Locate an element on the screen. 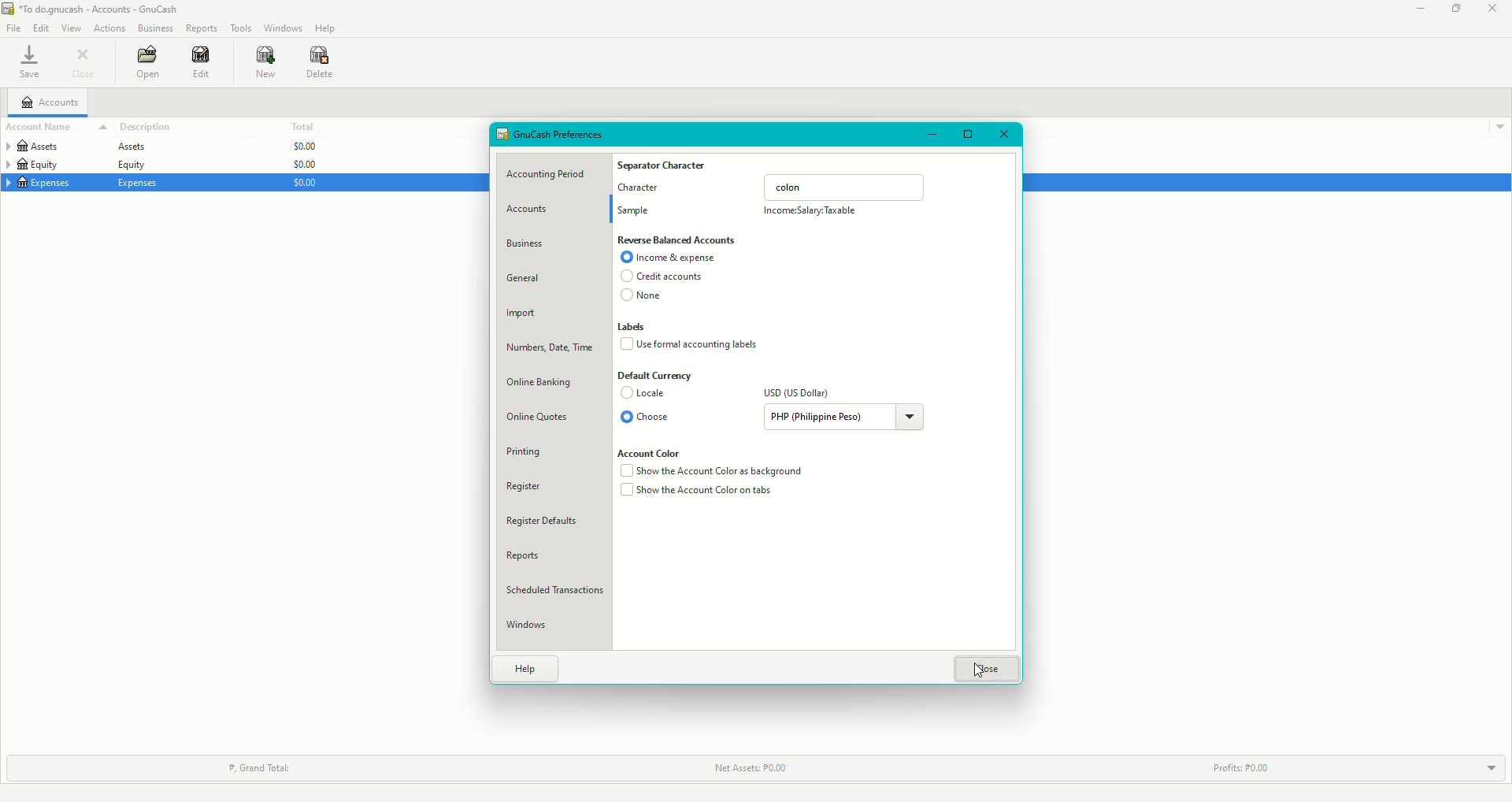  Description is located at coordinates (146, 127).